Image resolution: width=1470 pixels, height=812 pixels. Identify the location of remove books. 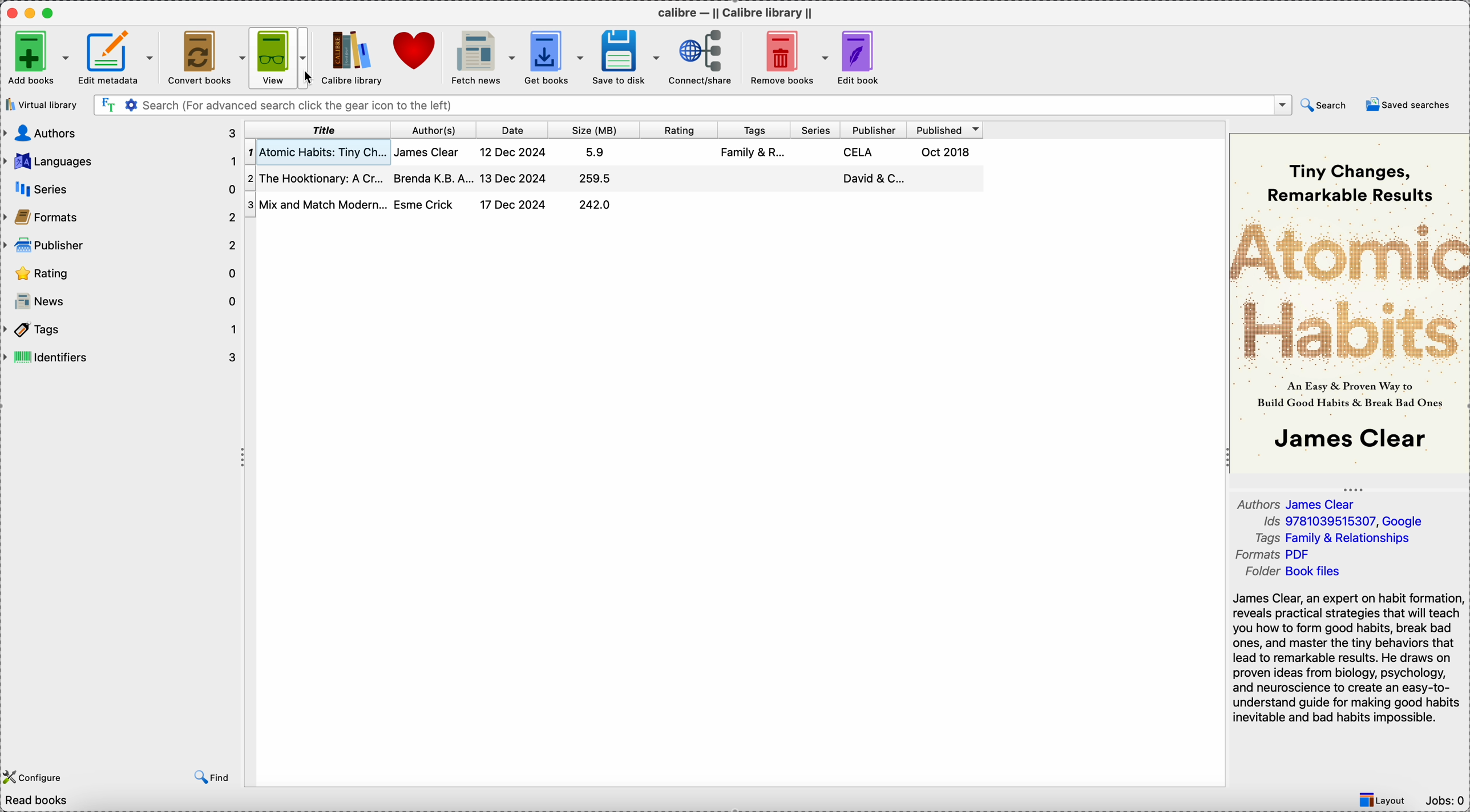
(785, 58).